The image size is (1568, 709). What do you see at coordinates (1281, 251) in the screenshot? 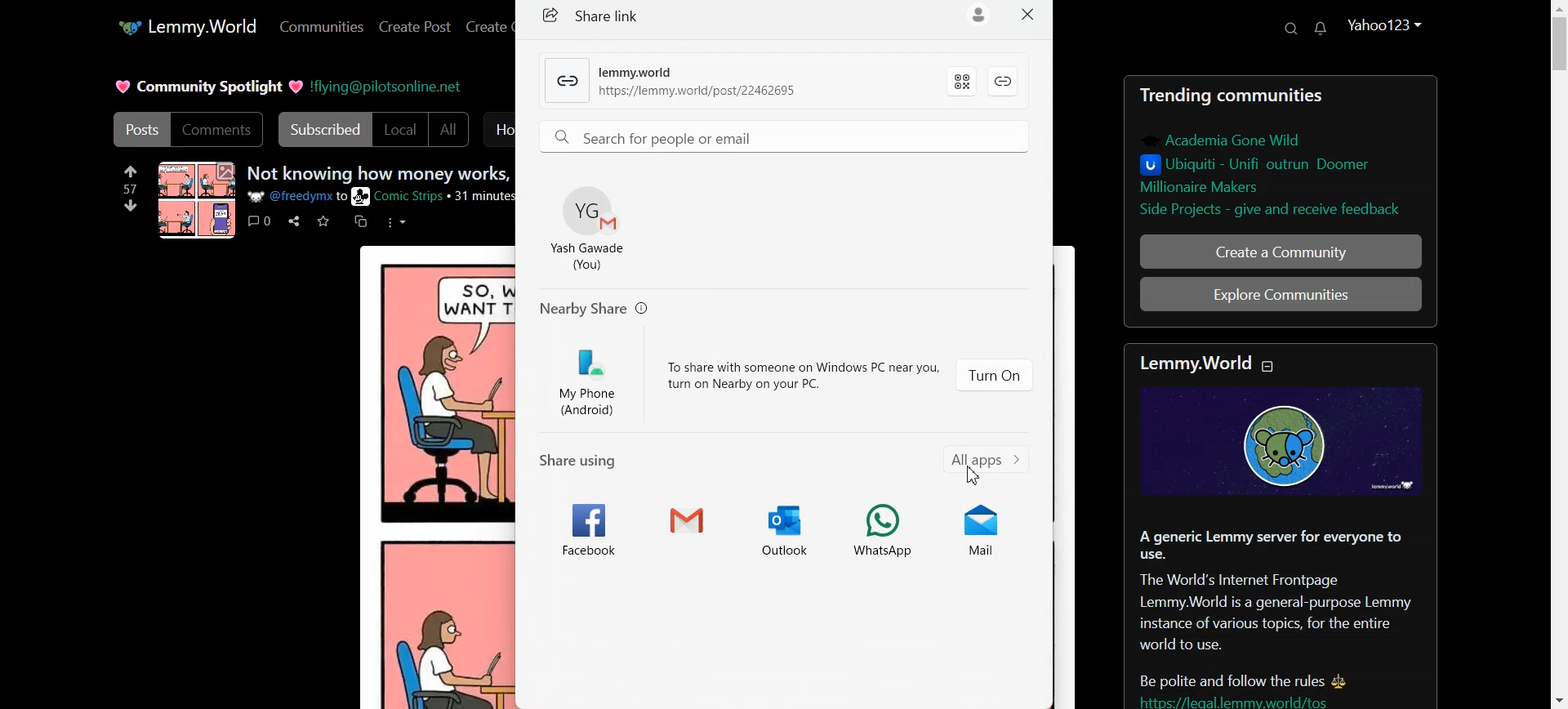
I see `Create a Community` at bounding box center [1281, 251].